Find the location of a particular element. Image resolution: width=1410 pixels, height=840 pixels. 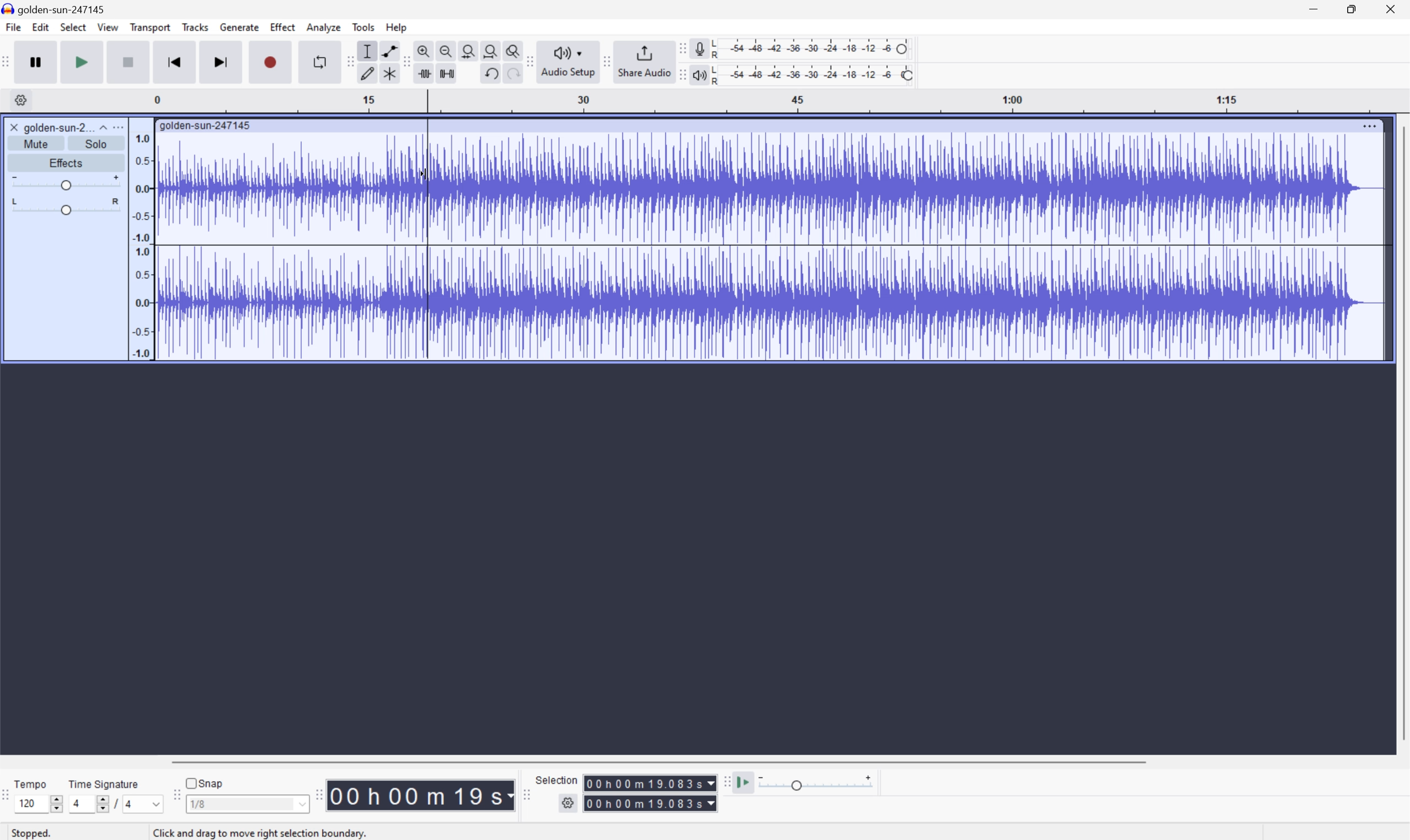

 is located at coordinates (55, 128).